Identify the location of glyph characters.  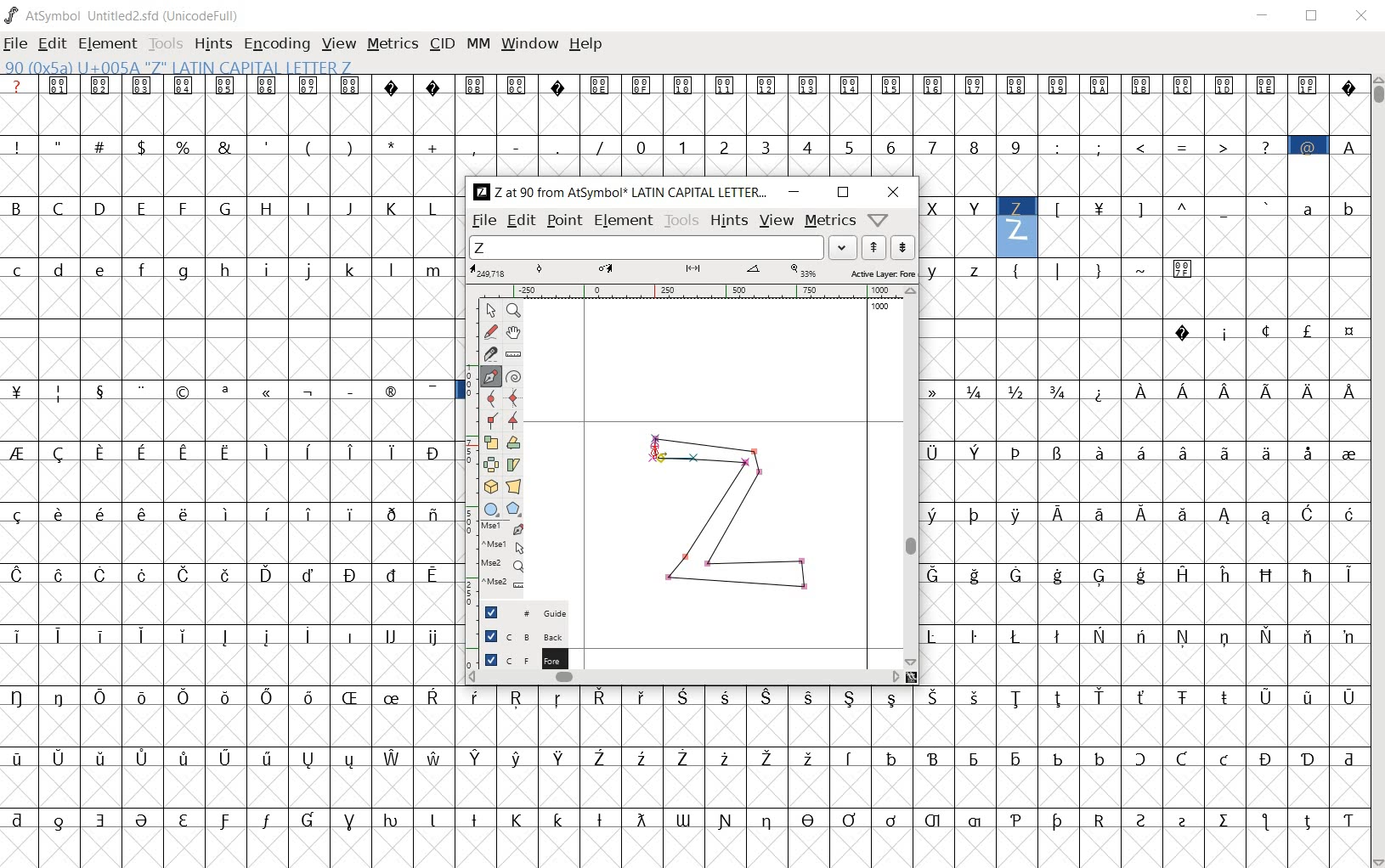
(1144, 471).